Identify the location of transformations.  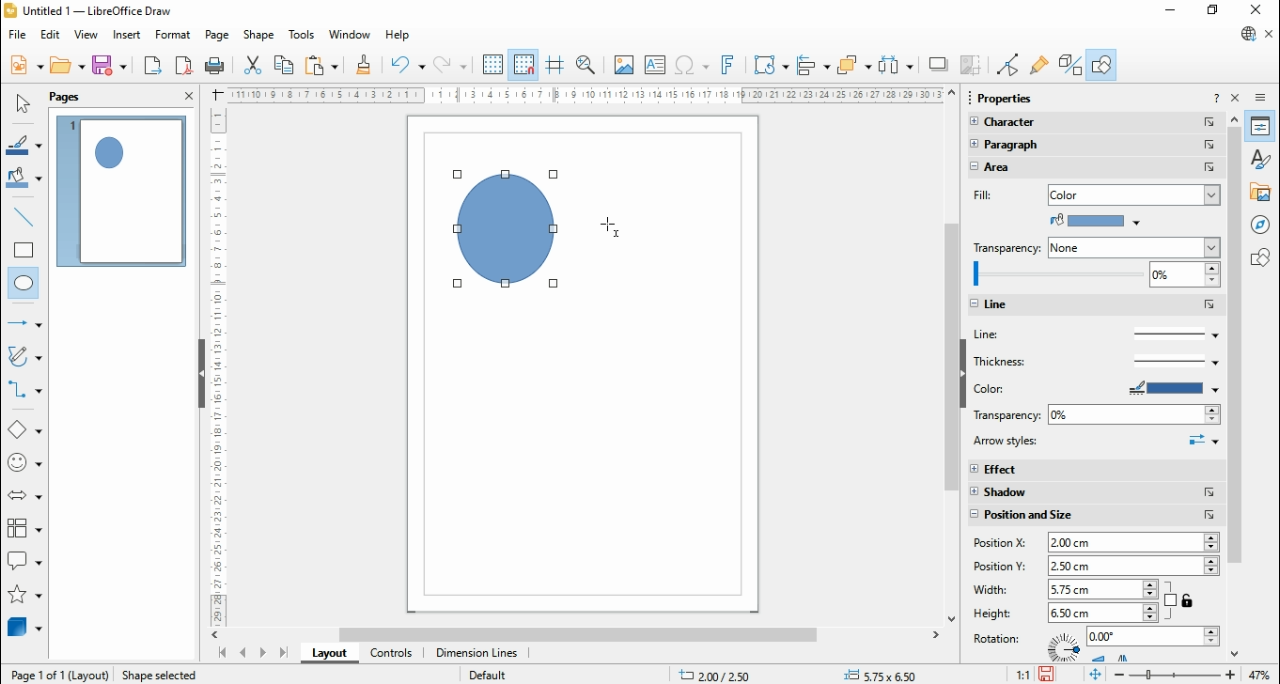
(769, 66).